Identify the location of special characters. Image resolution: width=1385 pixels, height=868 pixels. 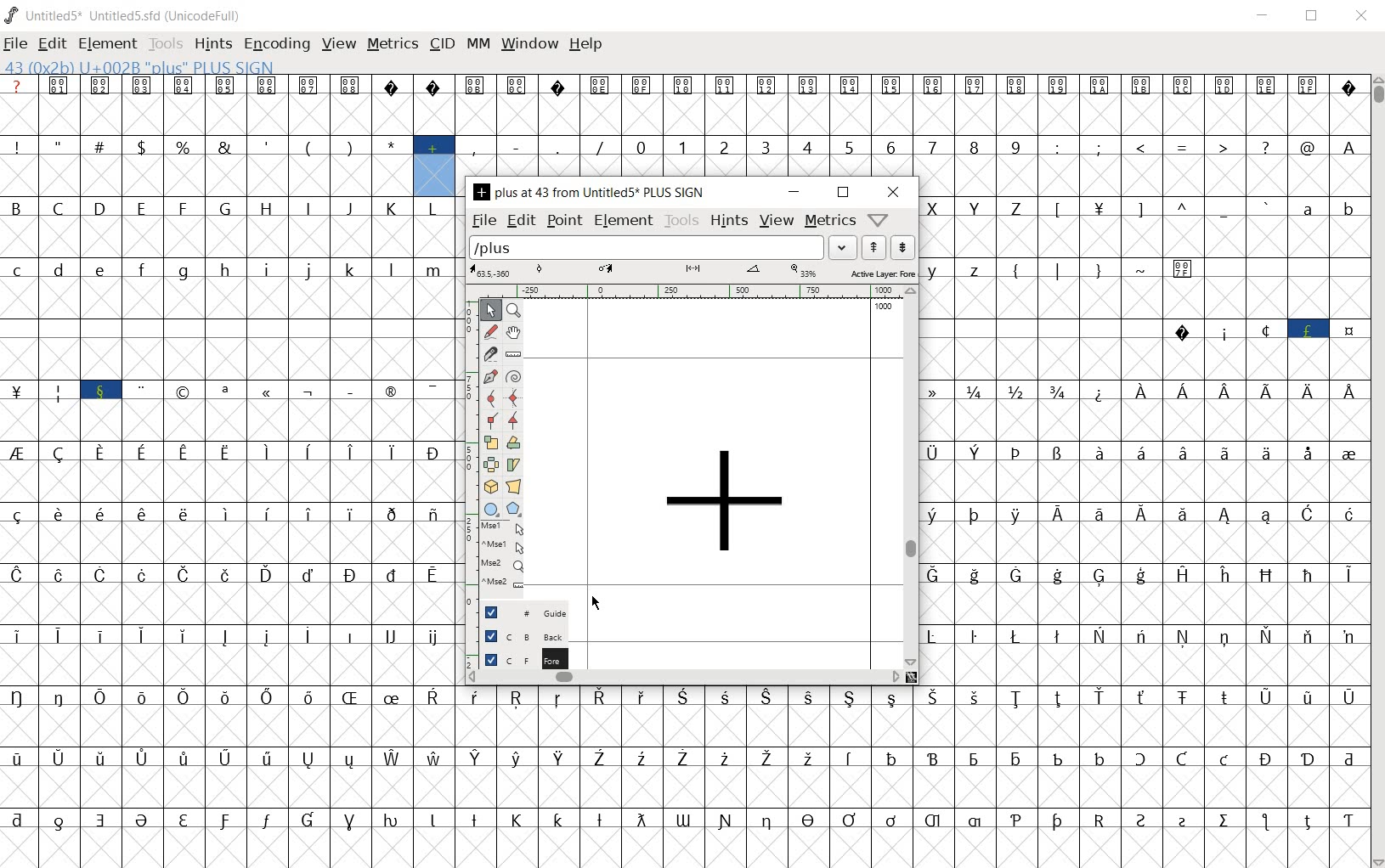
(1348, 473).